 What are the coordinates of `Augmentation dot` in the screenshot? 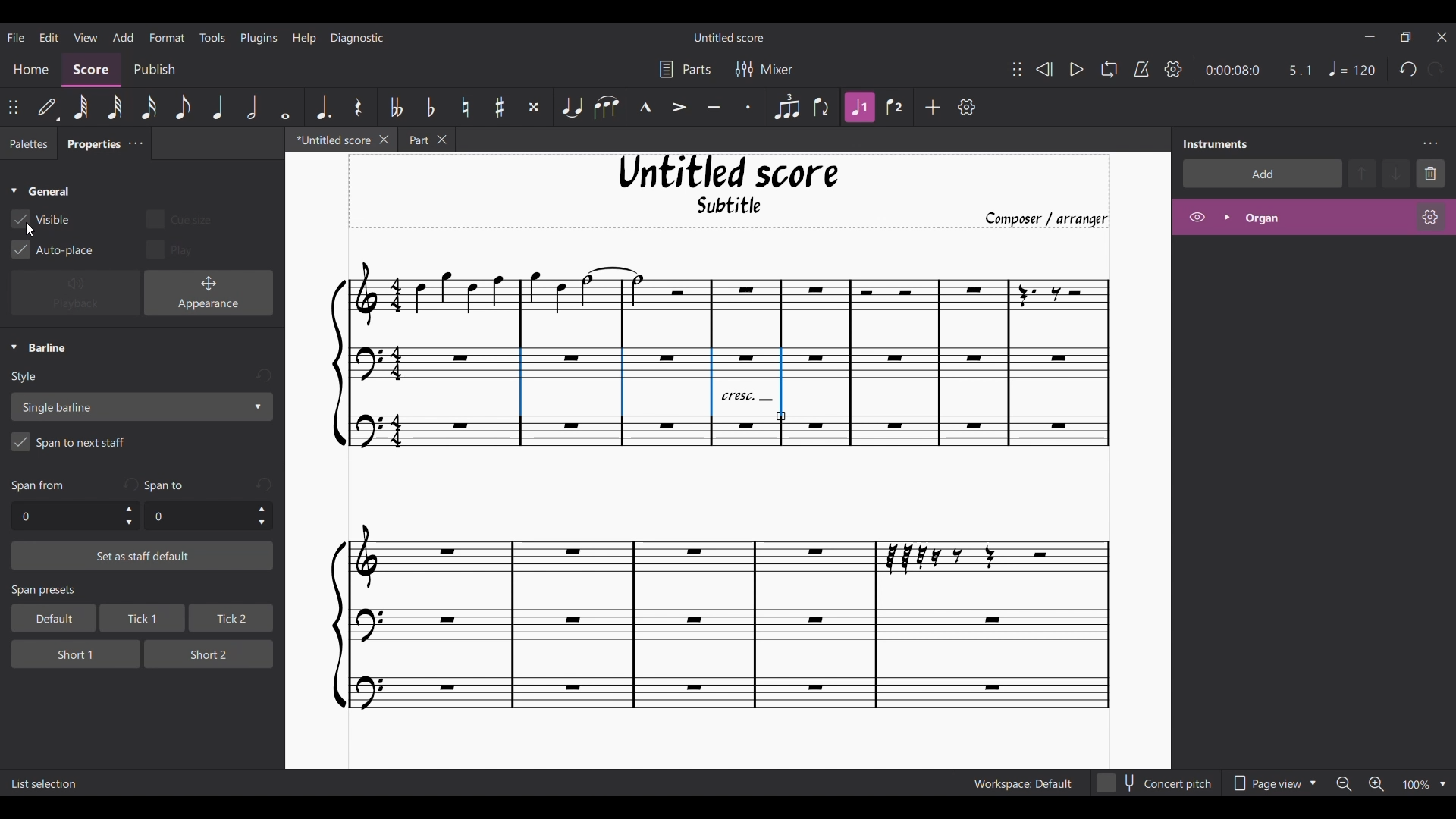 It's located at (322, 106).